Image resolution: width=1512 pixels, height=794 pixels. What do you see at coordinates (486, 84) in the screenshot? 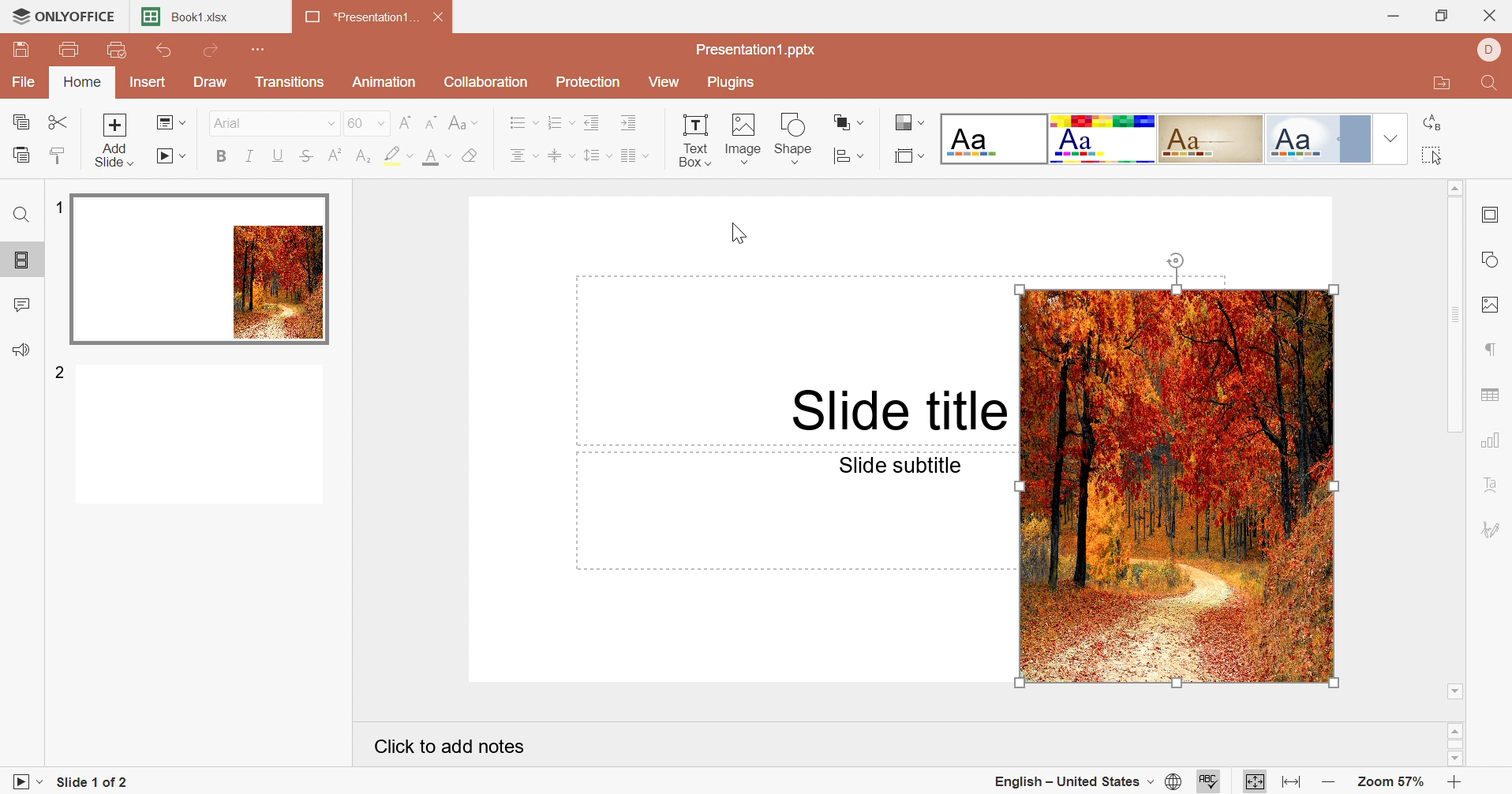
I see `Collaboration` at bounding box center [486, 84].